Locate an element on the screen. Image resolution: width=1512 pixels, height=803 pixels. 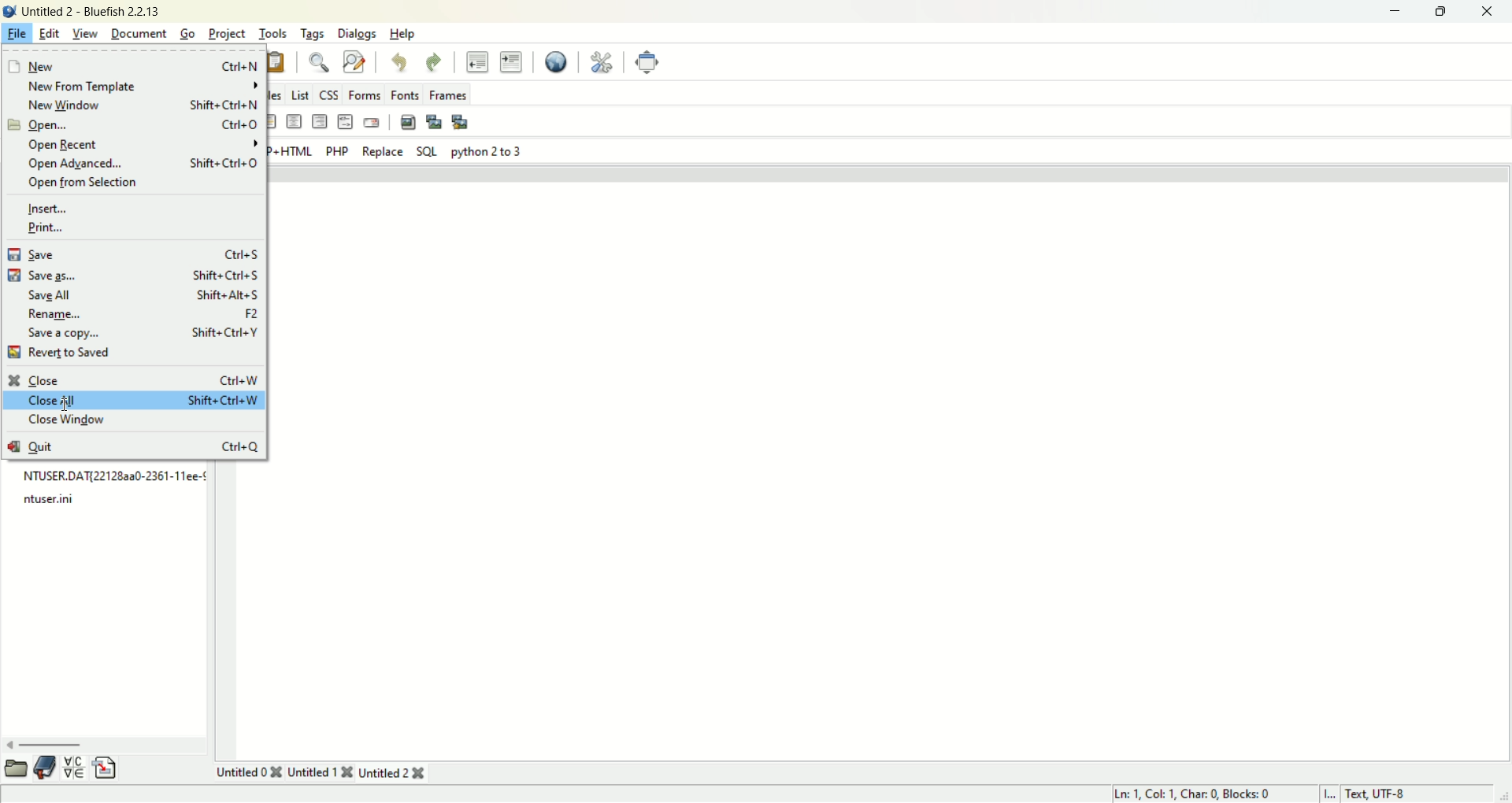
new from template is located at coordinates (140, 86).